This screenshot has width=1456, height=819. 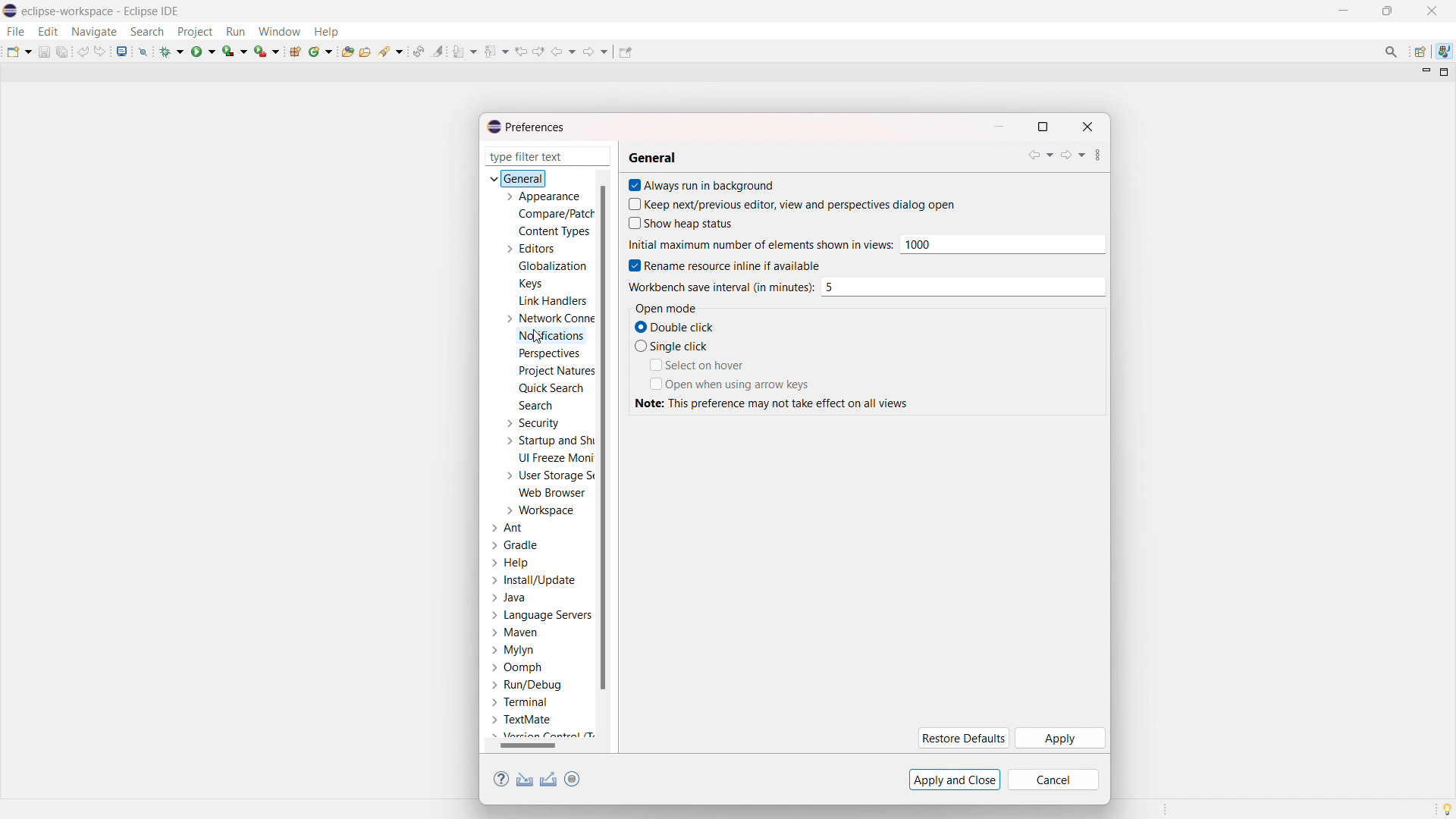 I want to click on new, so click(x=19, y=51).